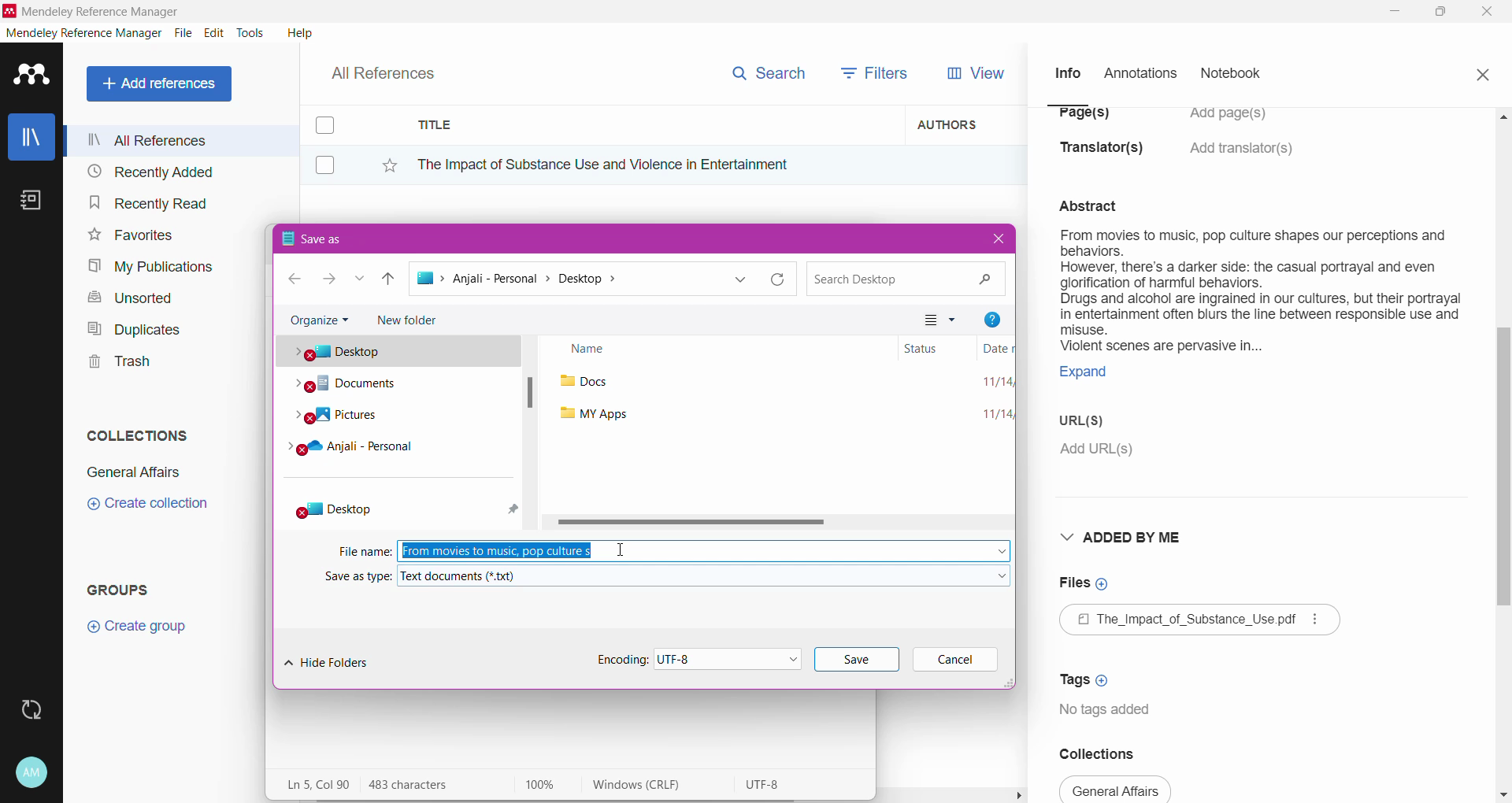 This screenshot has height=803, width=1512. What do you see at coordinates (148, 202) in the screenshot?
I see `Recently Read` at bounding box center [148, 202].